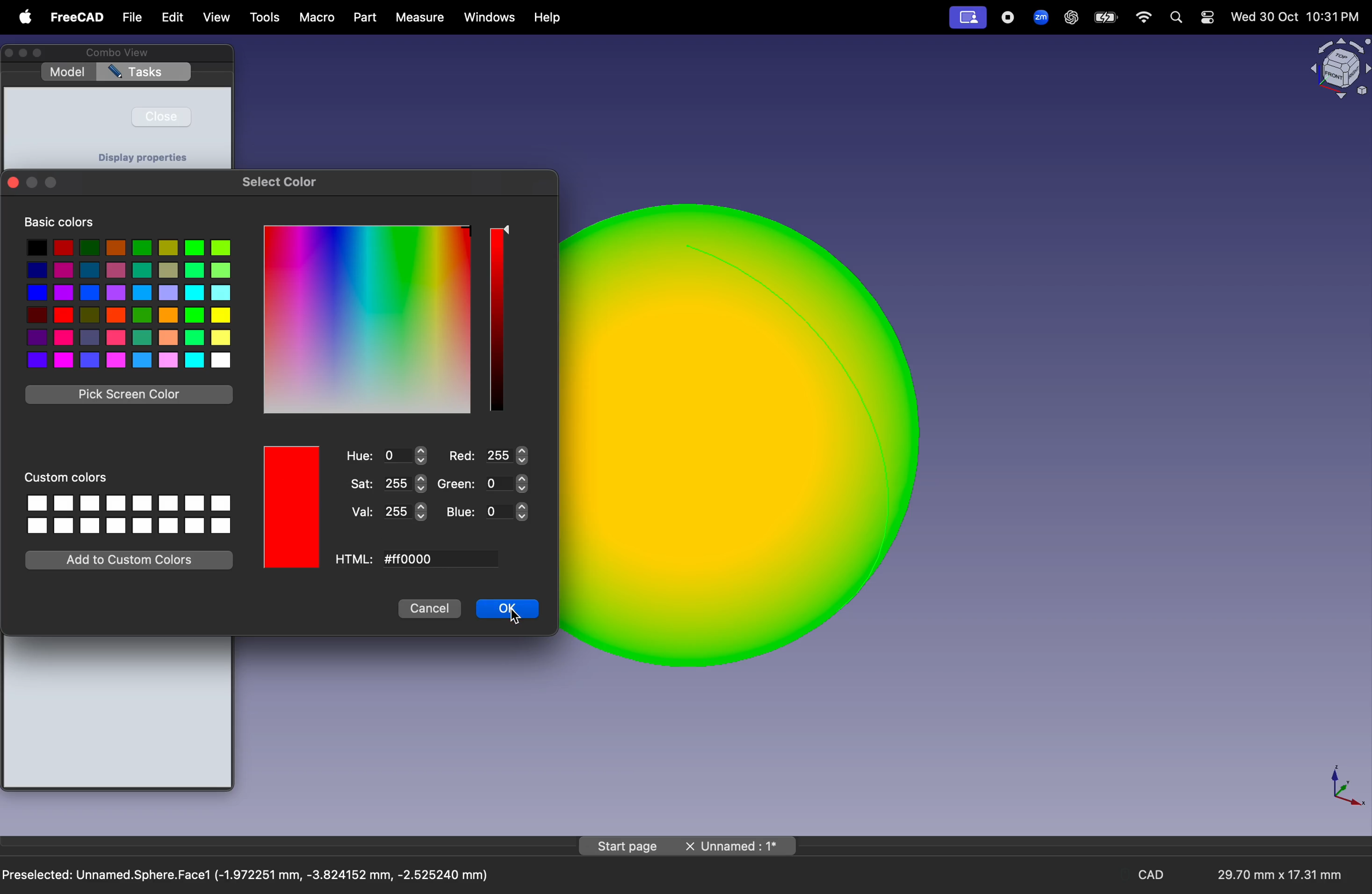 Image resolution: width=1372 pixels, height=894 pixels. What do you see at coordinates (25, 53) in the screenshot?
I see `minimize` at bounding box center [25, 53].